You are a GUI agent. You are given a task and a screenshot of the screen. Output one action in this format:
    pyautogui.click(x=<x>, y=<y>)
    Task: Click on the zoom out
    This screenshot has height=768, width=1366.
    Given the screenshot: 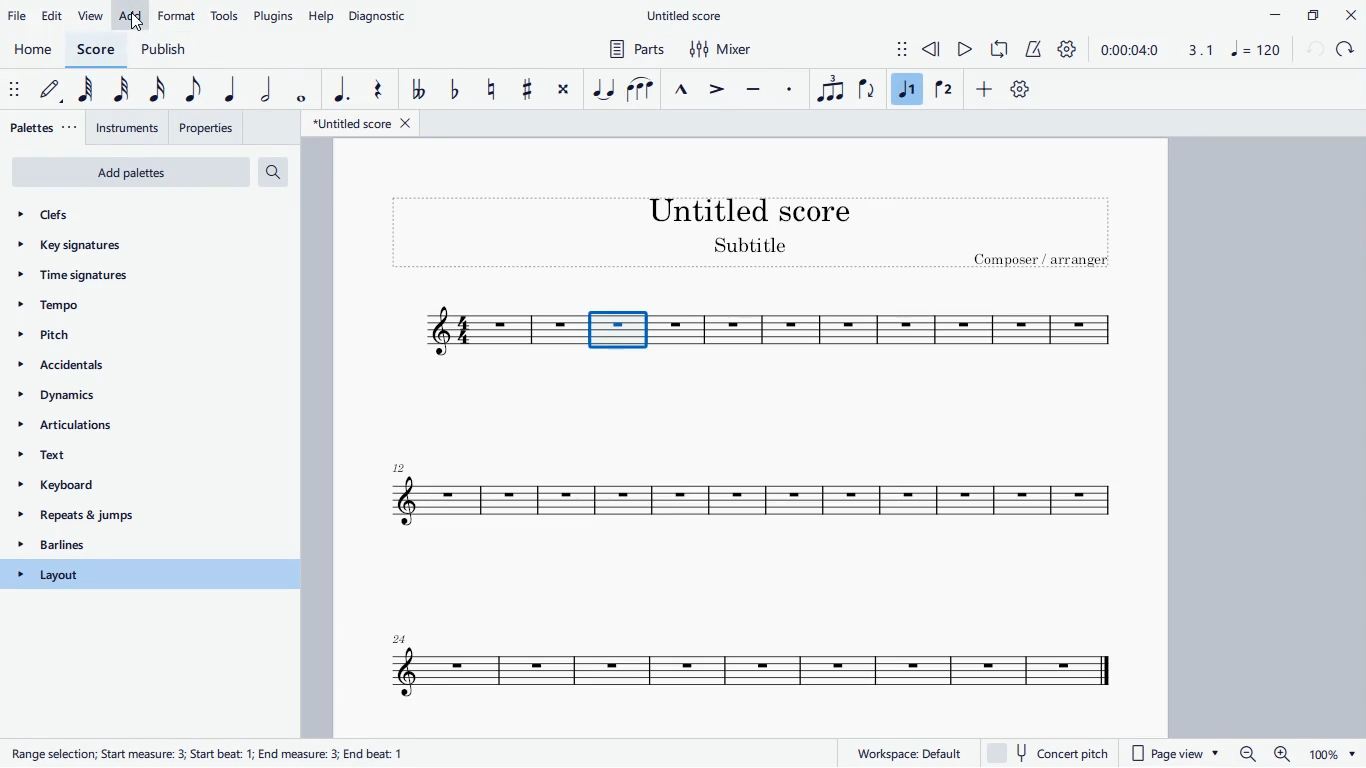 What is the action you would take?
    pyautogui.click(x=1247, y=754)
    